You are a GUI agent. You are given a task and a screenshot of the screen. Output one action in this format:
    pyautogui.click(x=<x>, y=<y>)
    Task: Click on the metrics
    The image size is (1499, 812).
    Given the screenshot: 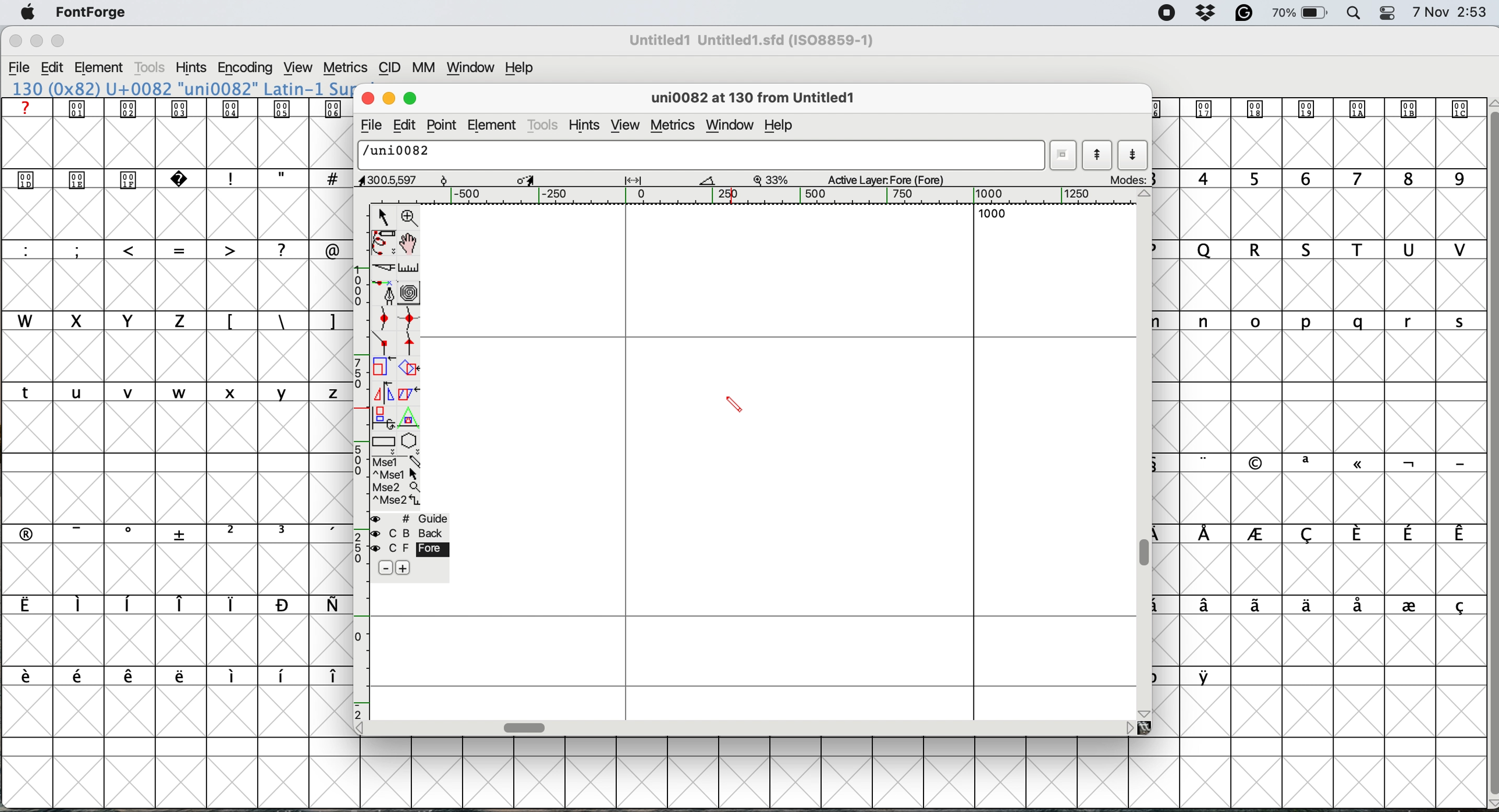 What is the action you would take?
    pyautogui.click(x=347, y=66)
    